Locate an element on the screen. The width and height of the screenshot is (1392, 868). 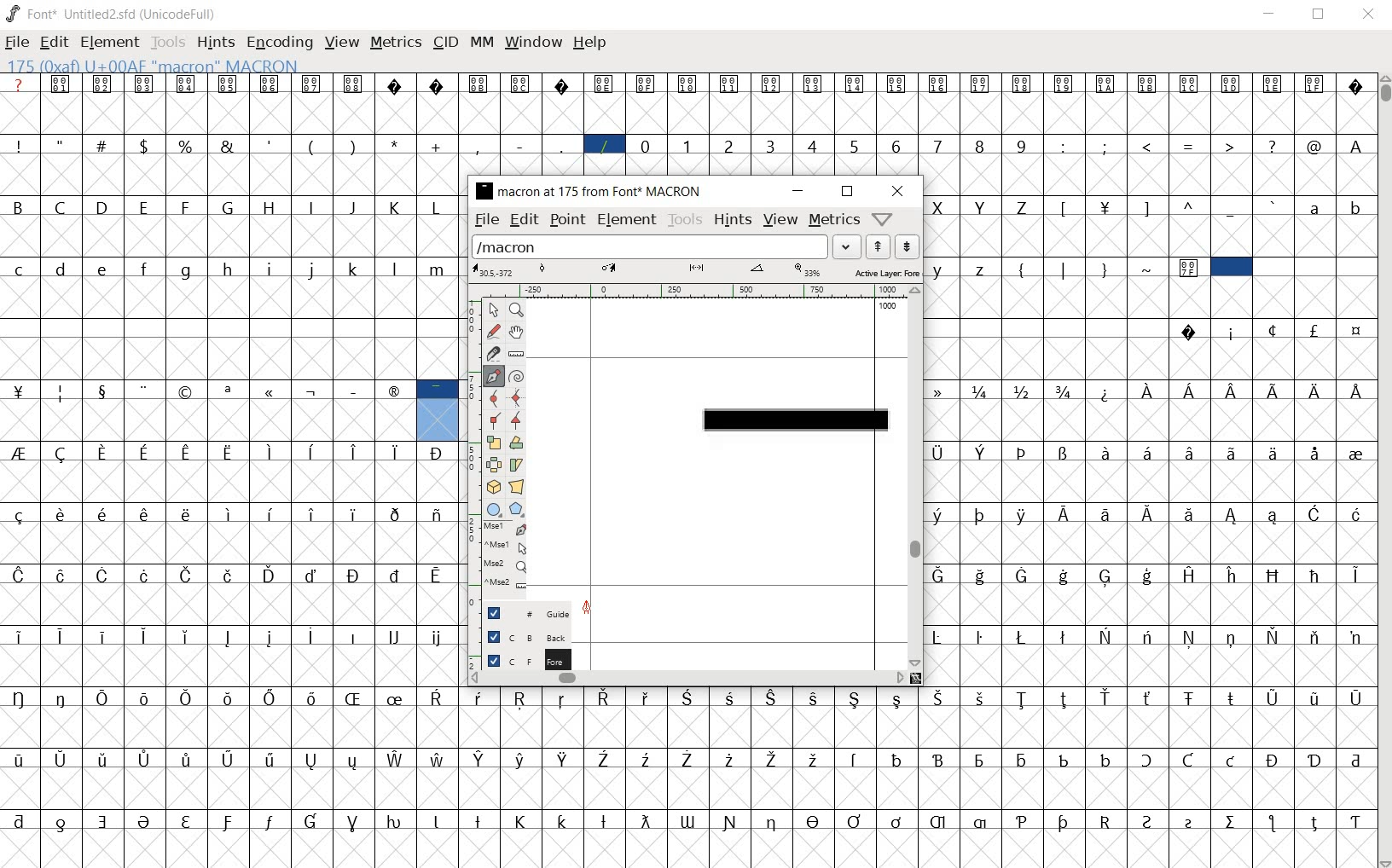
Symbol is located at coordinates (63, 513).